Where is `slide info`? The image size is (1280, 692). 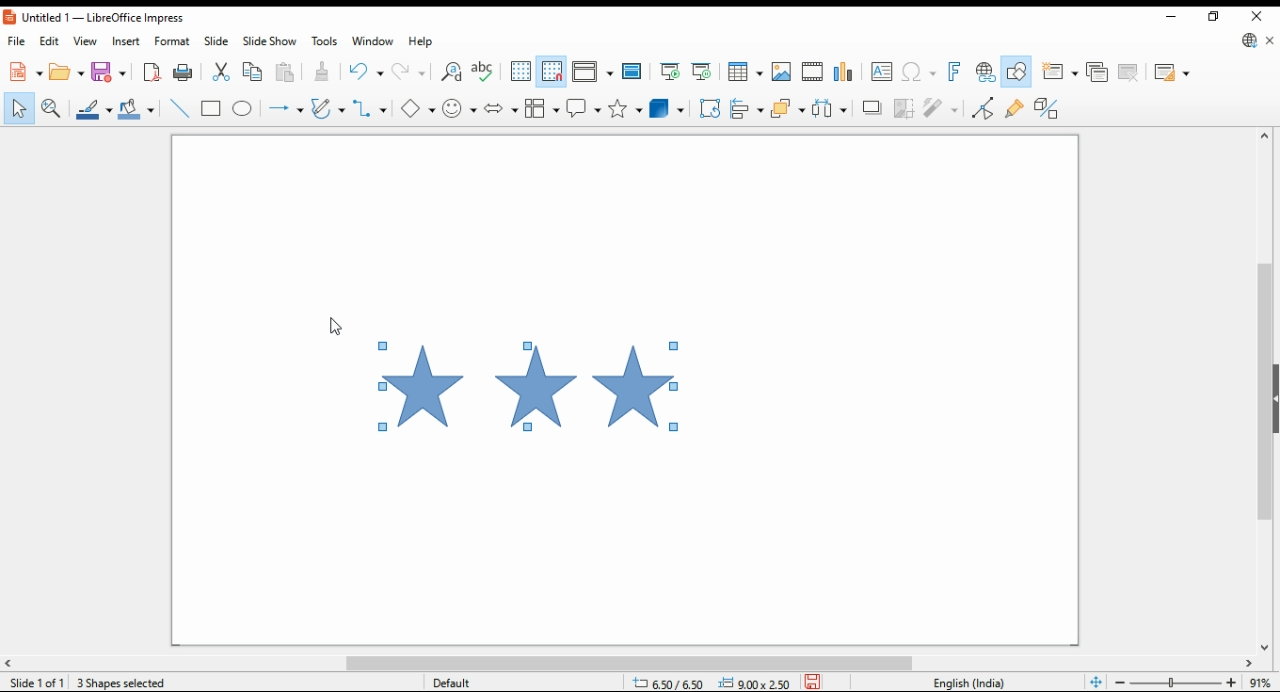 slide info is located at coordinates (40, 680).